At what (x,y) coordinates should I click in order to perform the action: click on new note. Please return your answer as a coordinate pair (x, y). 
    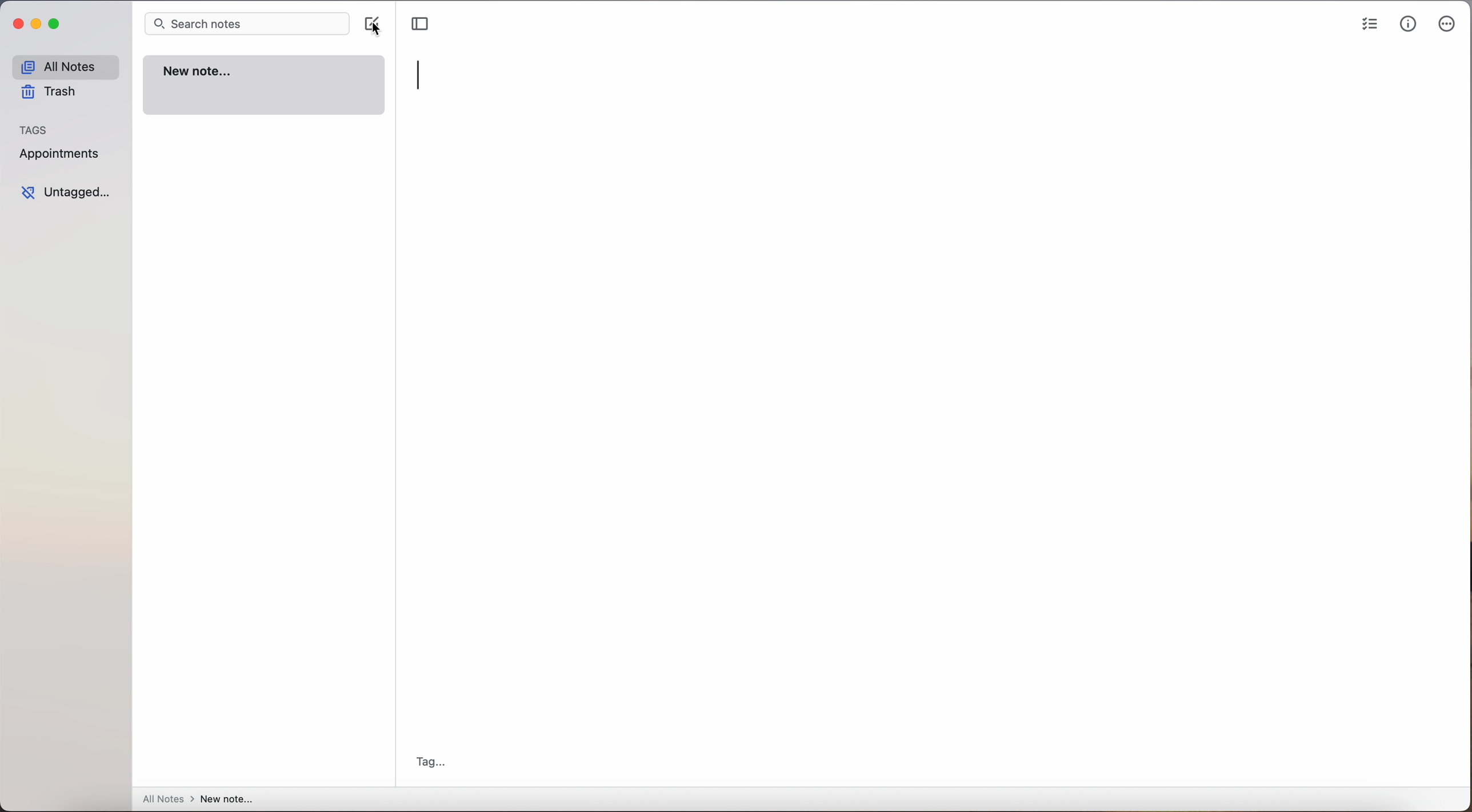
    Looking at the image, I should click on (262, 85).